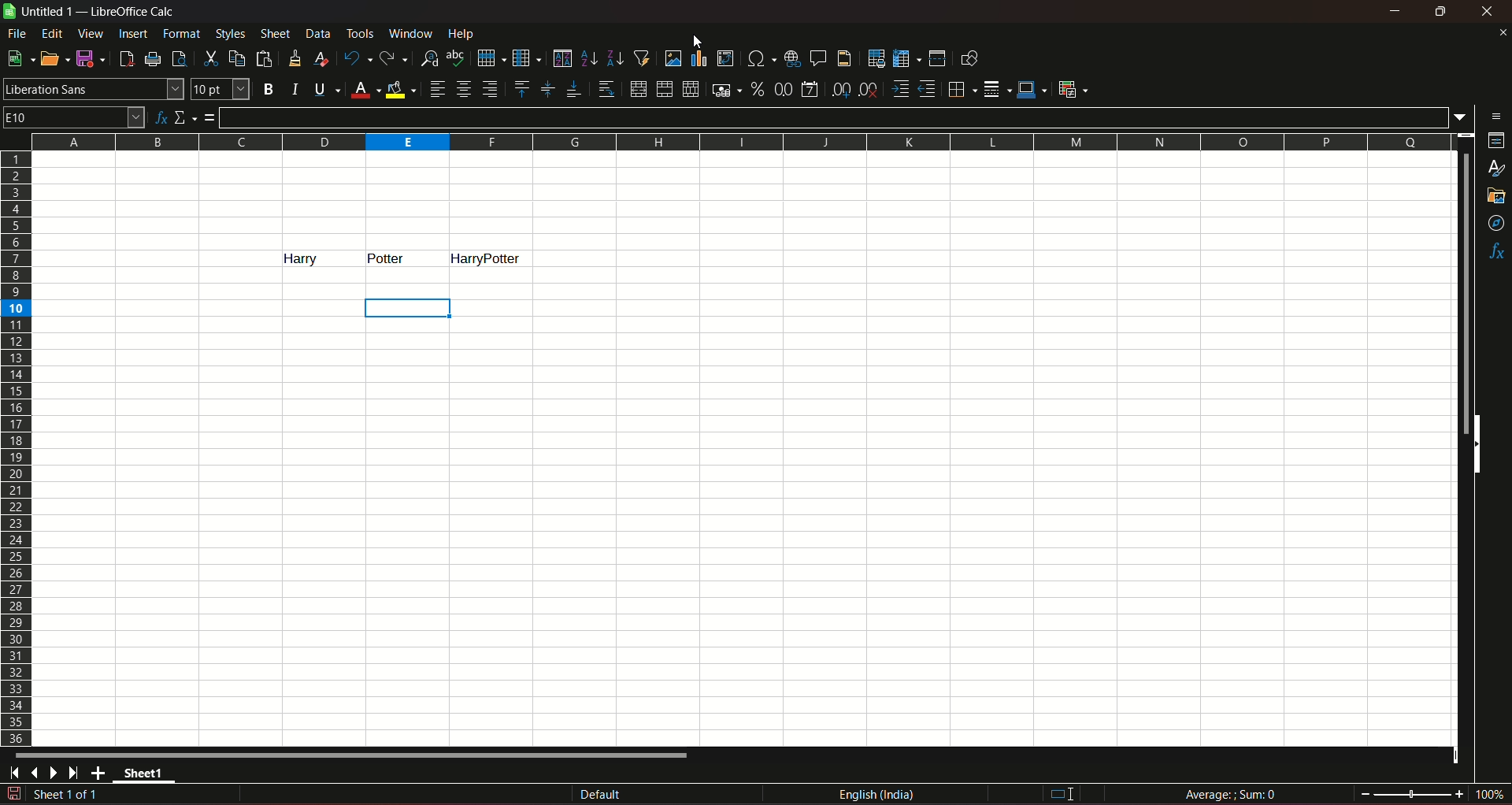 This screenshot has height=805, width=1512. I want to click on insert special character, so click(759, 57).